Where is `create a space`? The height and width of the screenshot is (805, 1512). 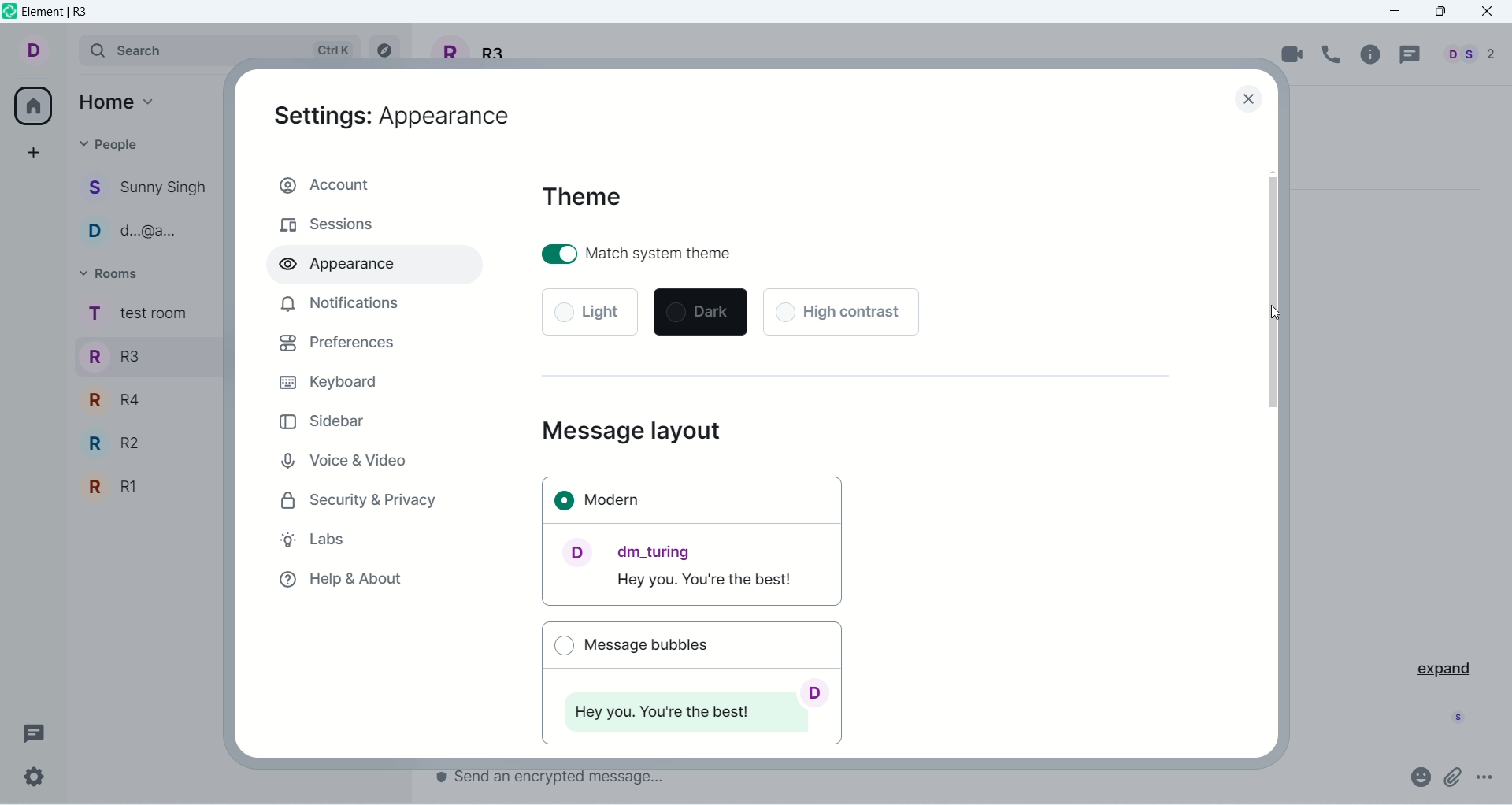
create a space is located at coordinates (34, 152).